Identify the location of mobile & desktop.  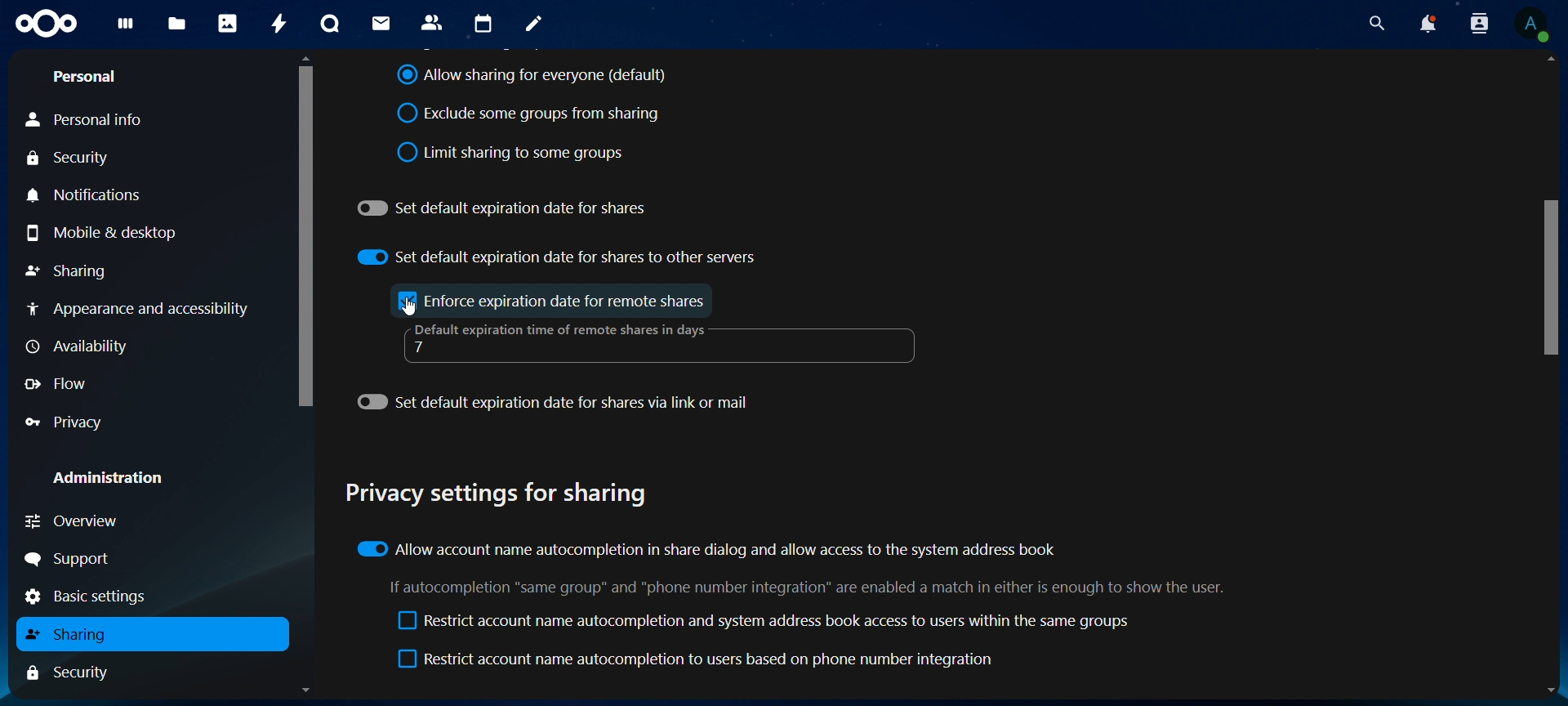
(116, 234).